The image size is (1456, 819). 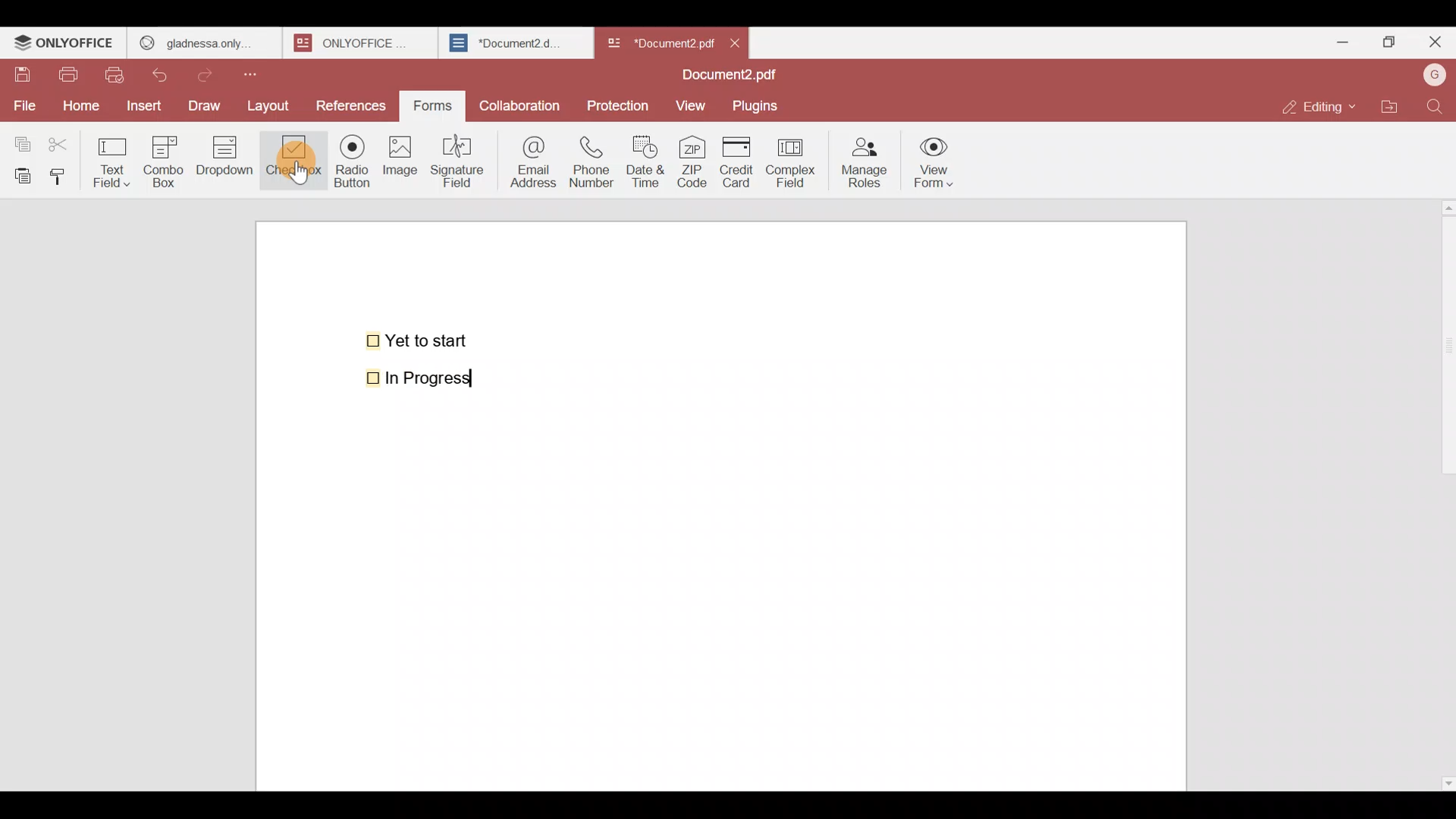 I want to click on Minimize, so click(x=1336, y=39).